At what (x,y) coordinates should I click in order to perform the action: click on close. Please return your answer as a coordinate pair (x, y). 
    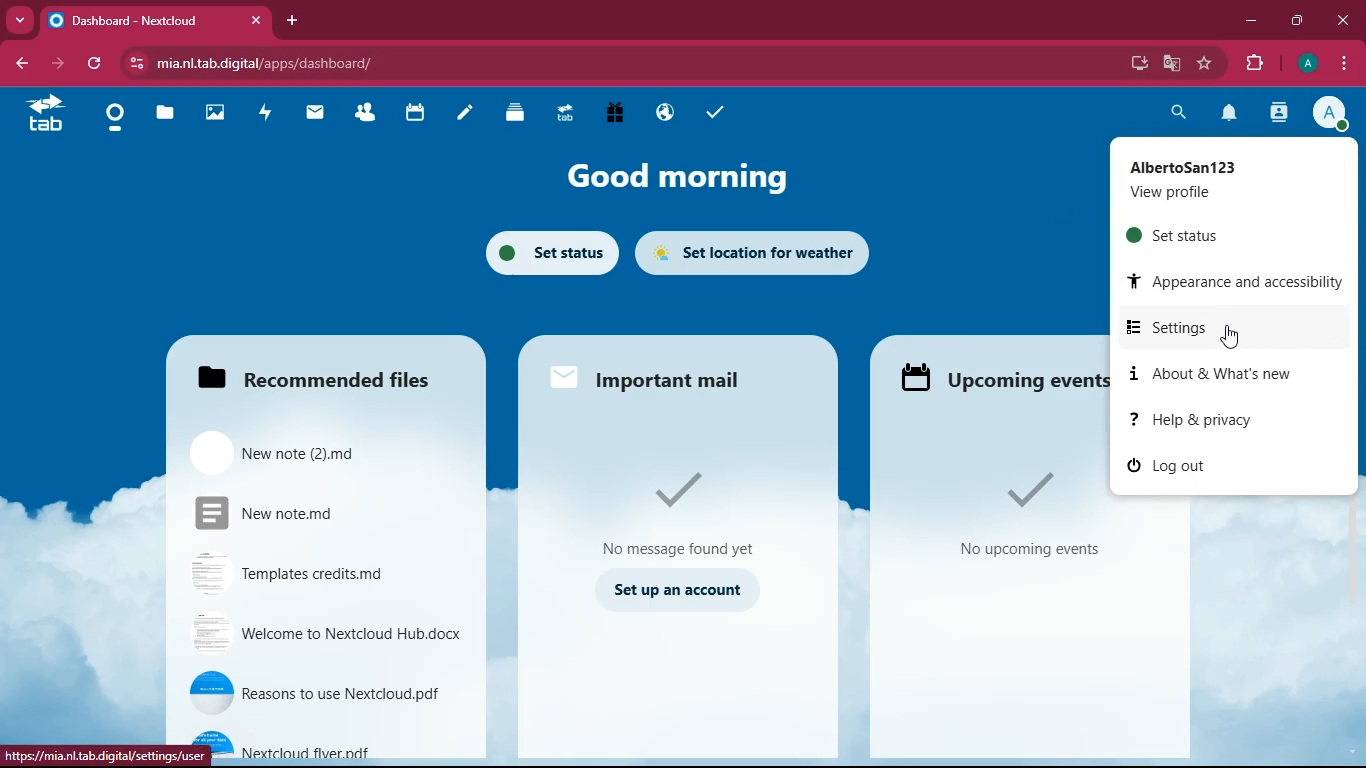
    Looking at the image, I should click on (255, 22).